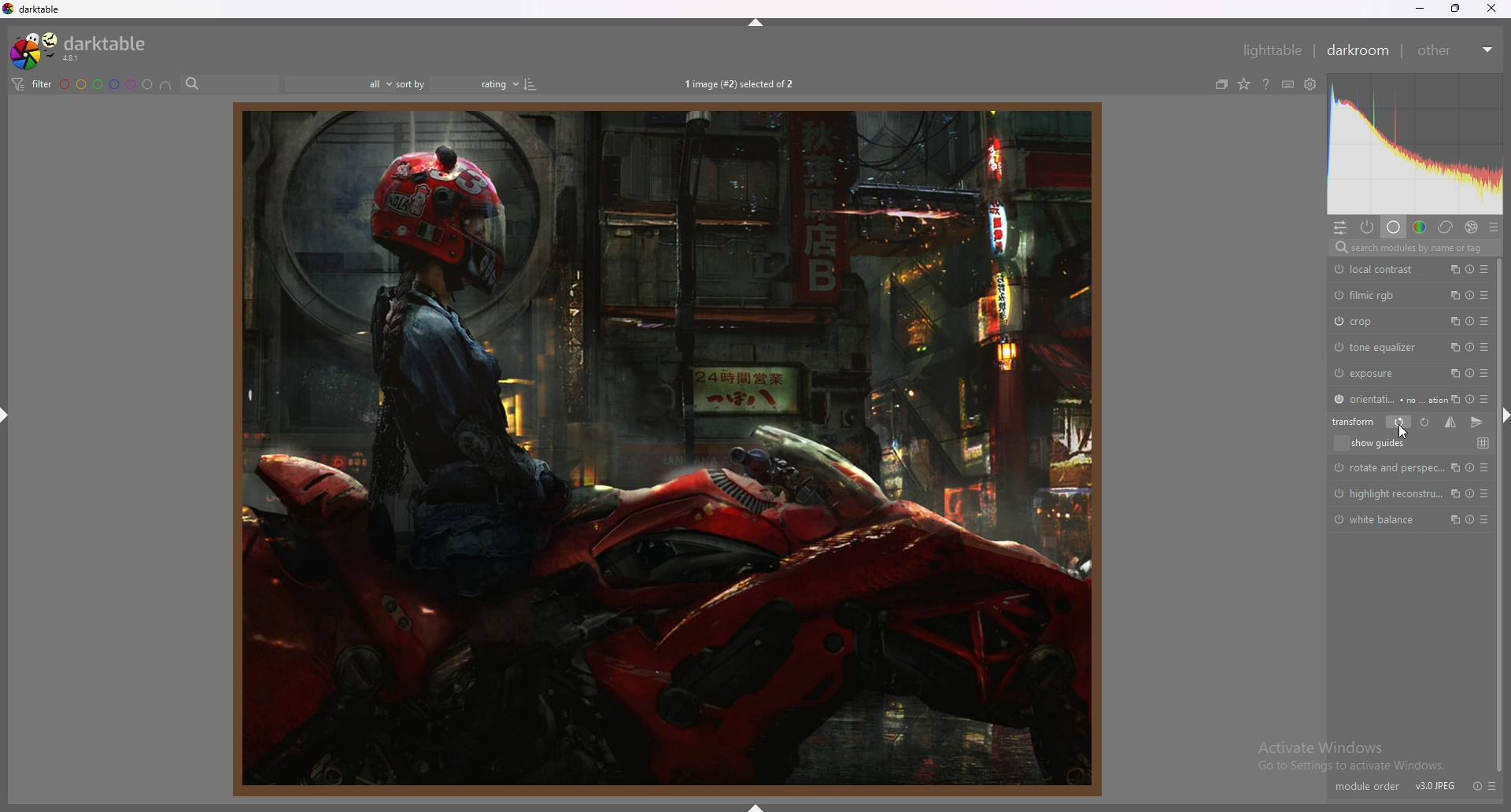 This screenshot has width=1511, height=812. I want to click on presets, so click(1494, 228).